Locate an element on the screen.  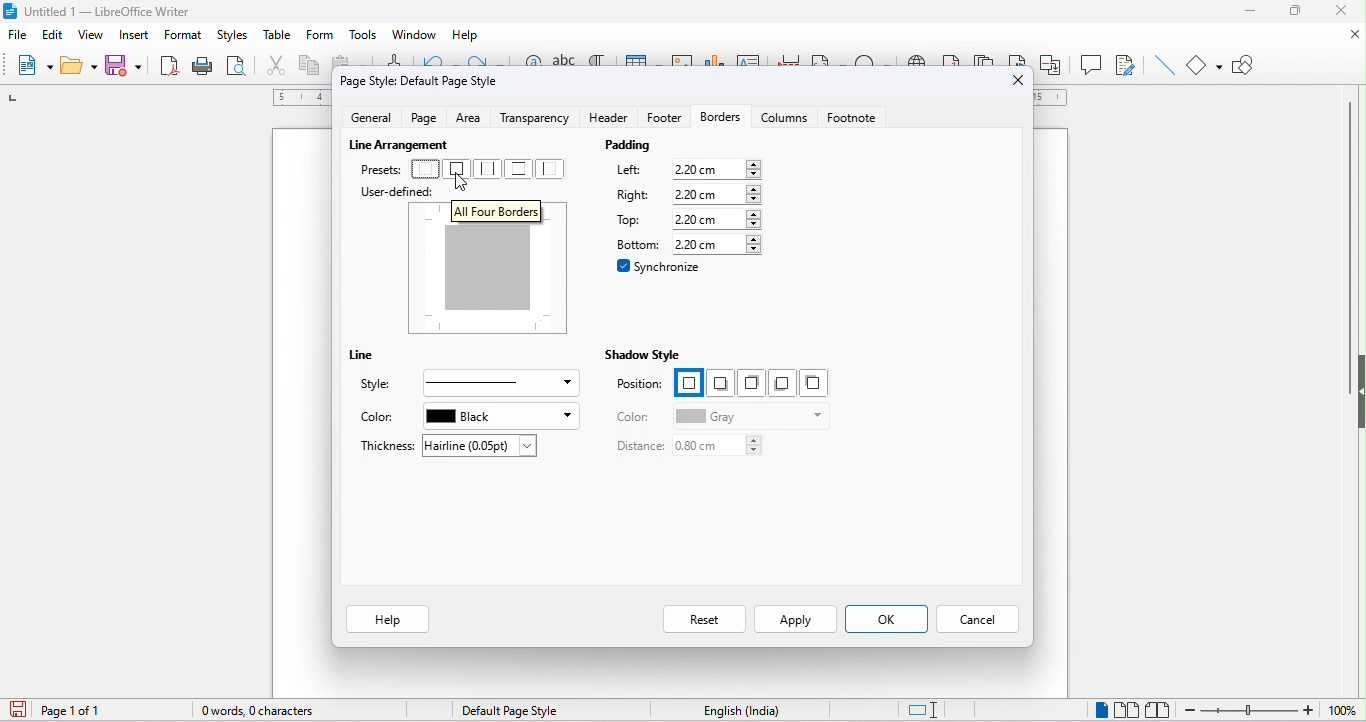
0.80 cm is located at coordinates (720, 447).